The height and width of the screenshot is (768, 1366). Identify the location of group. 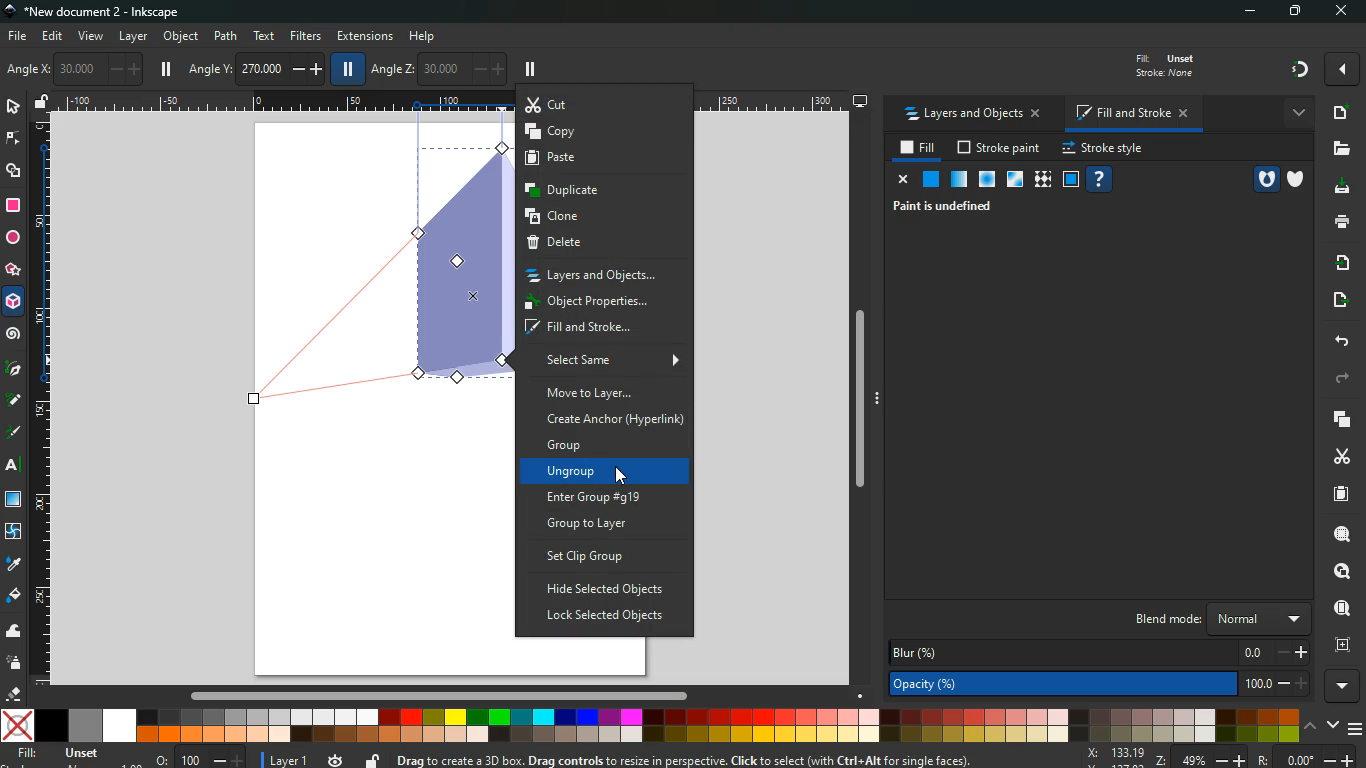
(609, 446).